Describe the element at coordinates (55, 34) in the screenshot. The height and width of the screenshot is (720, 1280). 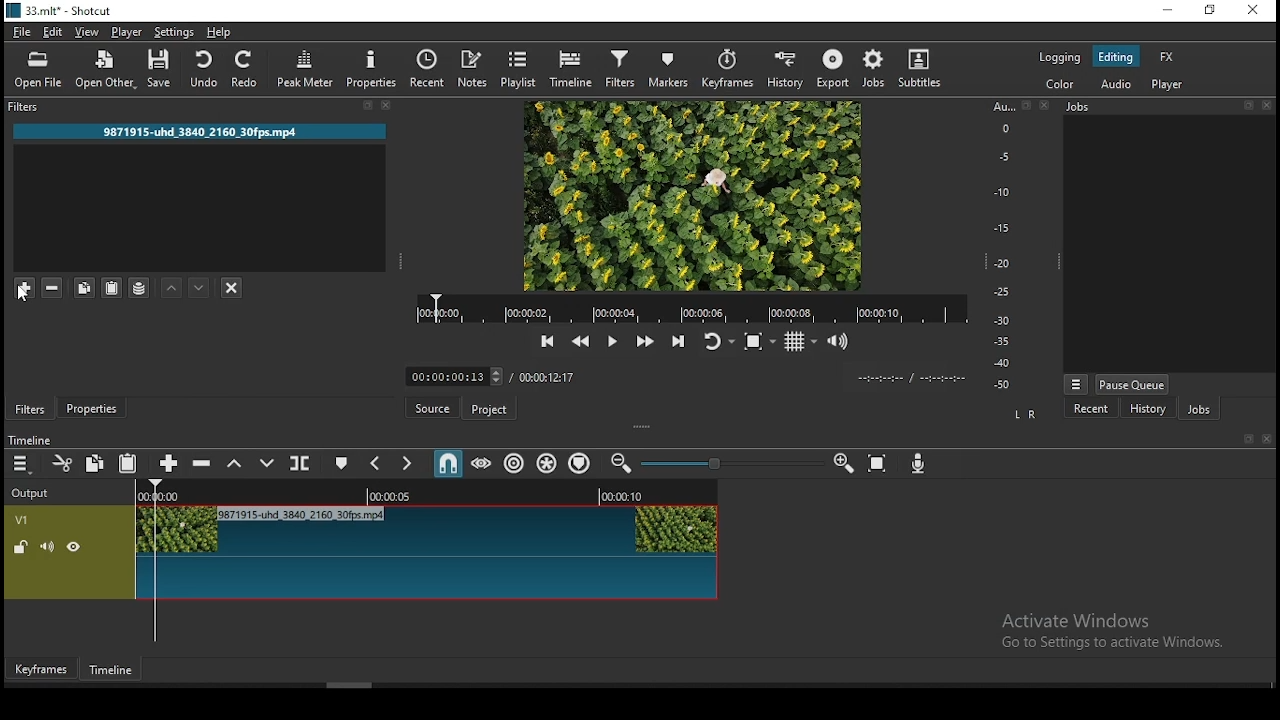
I see `edit` at that location.